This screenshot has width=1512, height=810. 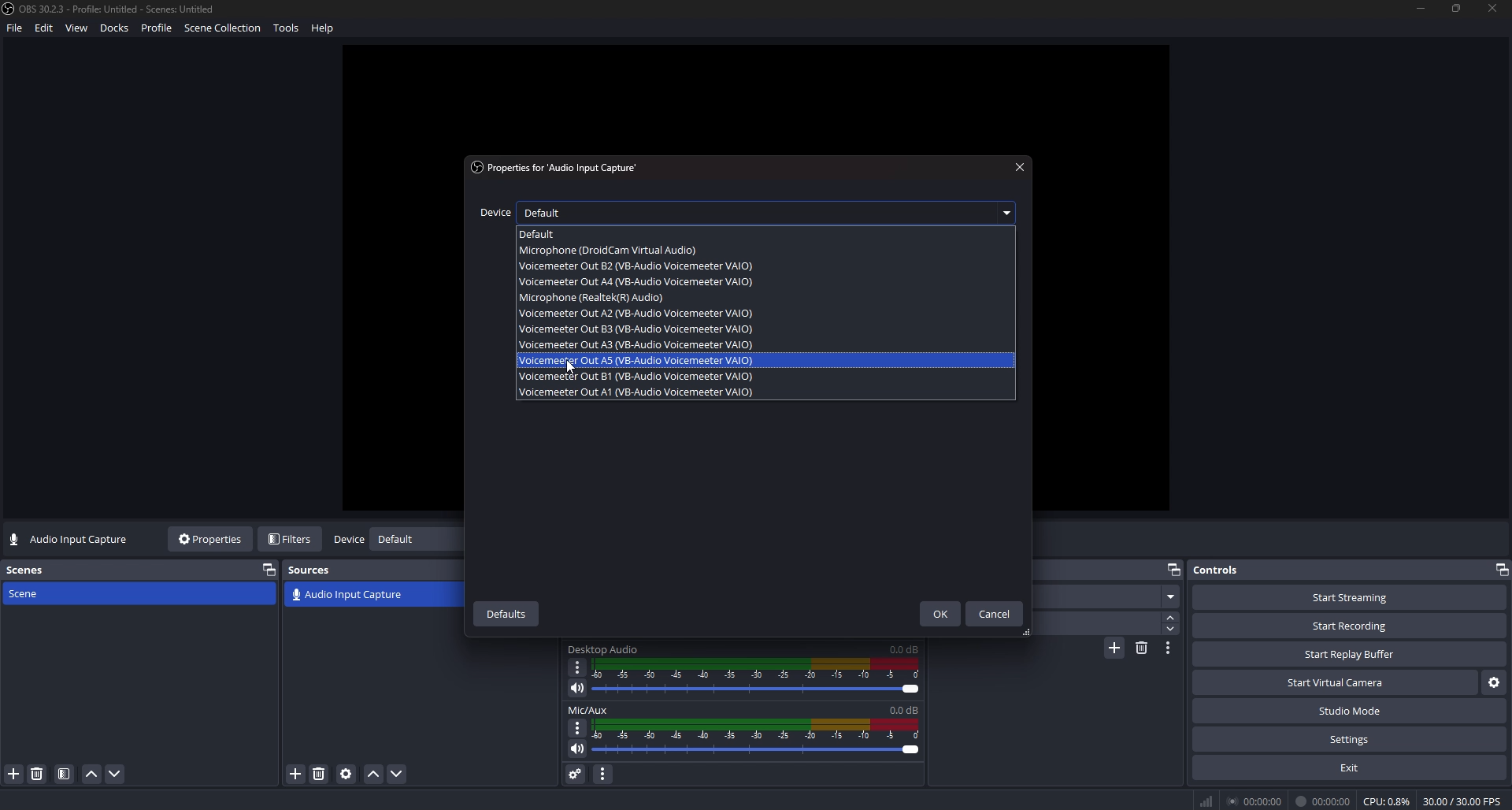 What do you see at coordinates (938, 615) in the screenshot?
I see `ok` at bounding box center [938, 615].